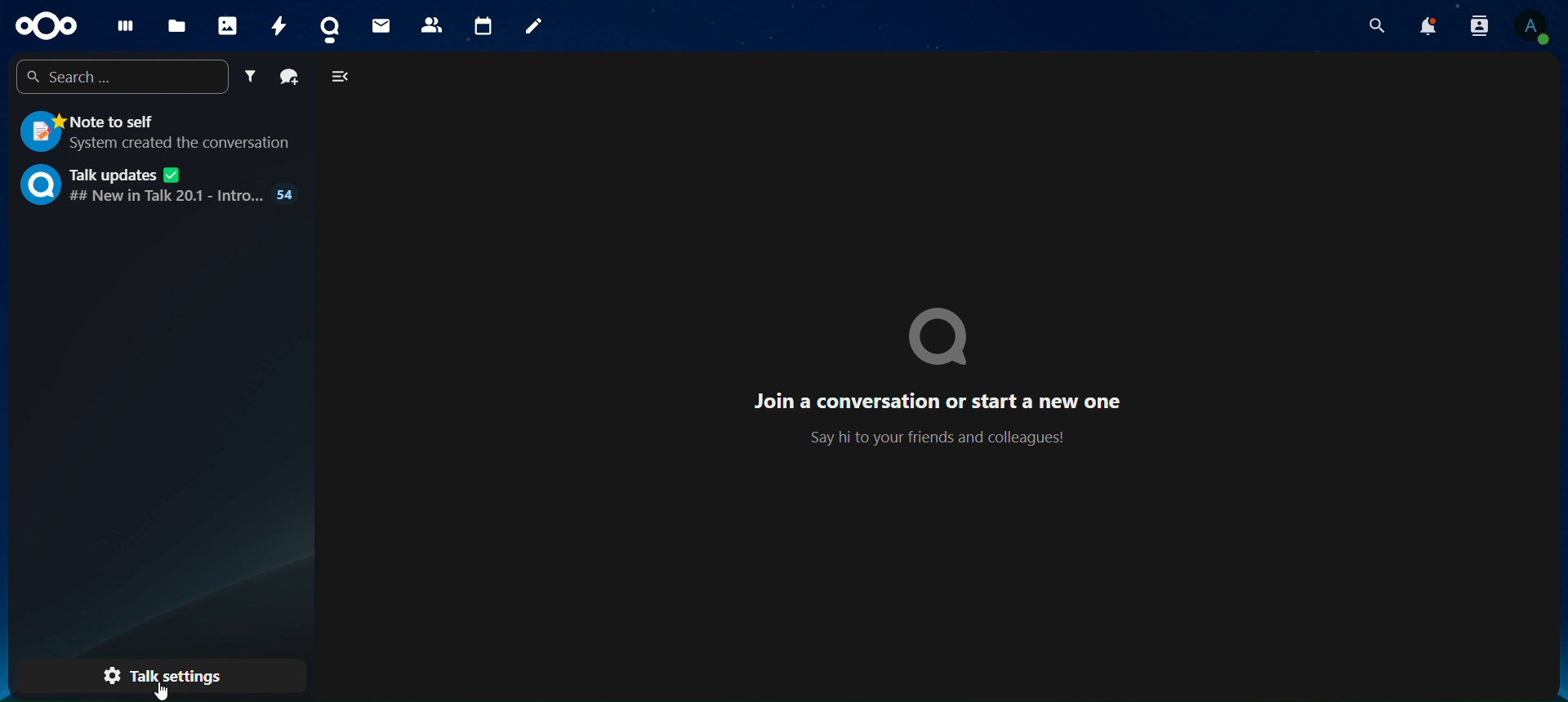 The image size is (1568, 702). What do you see at coordinates (44, 25) in the screenshot?
I see `icon` at bounding box center [44, 25].